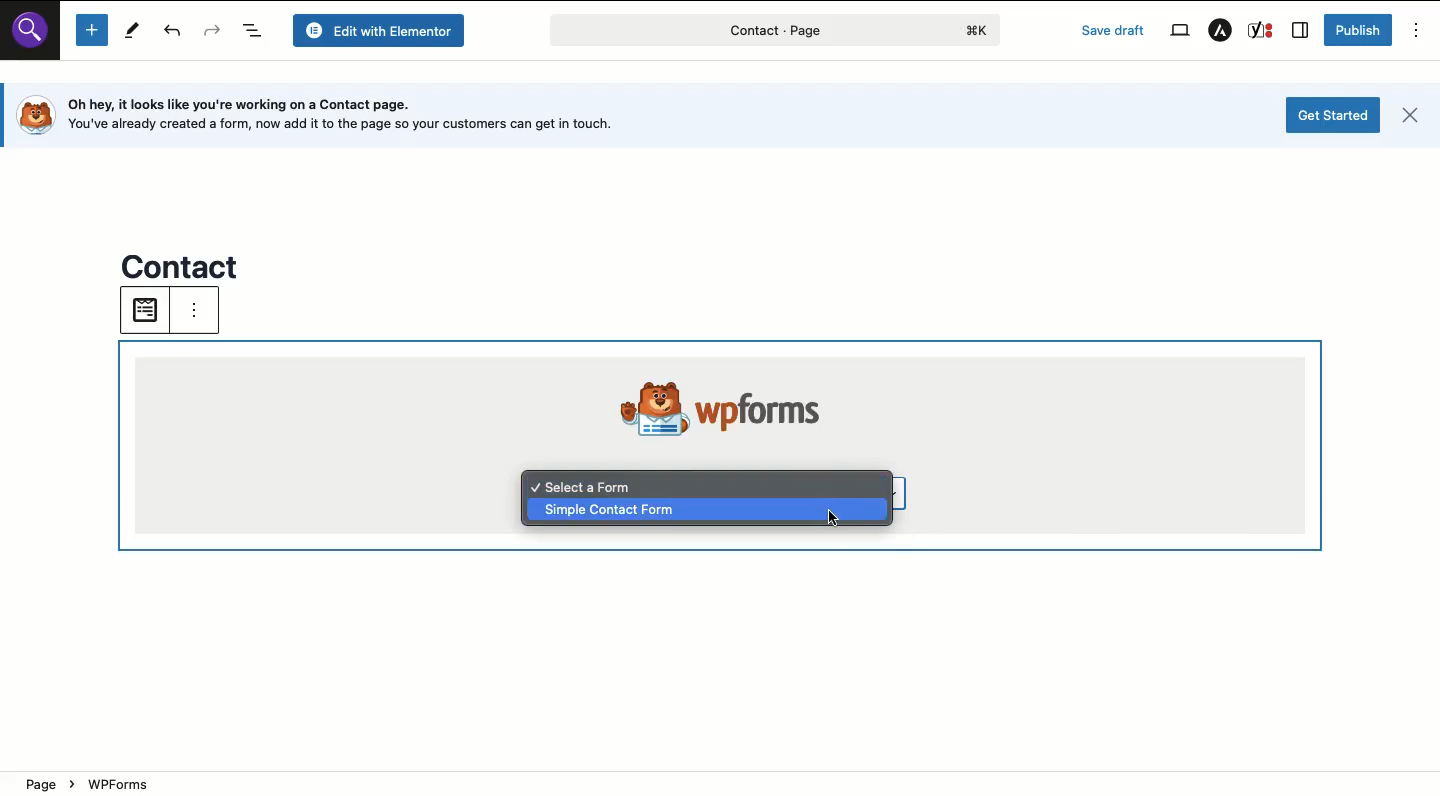 This screenshot has height=796, width=1440. Describe the element at coordinates (91, 31) in the screenshot. I see `Add new block` at that location.